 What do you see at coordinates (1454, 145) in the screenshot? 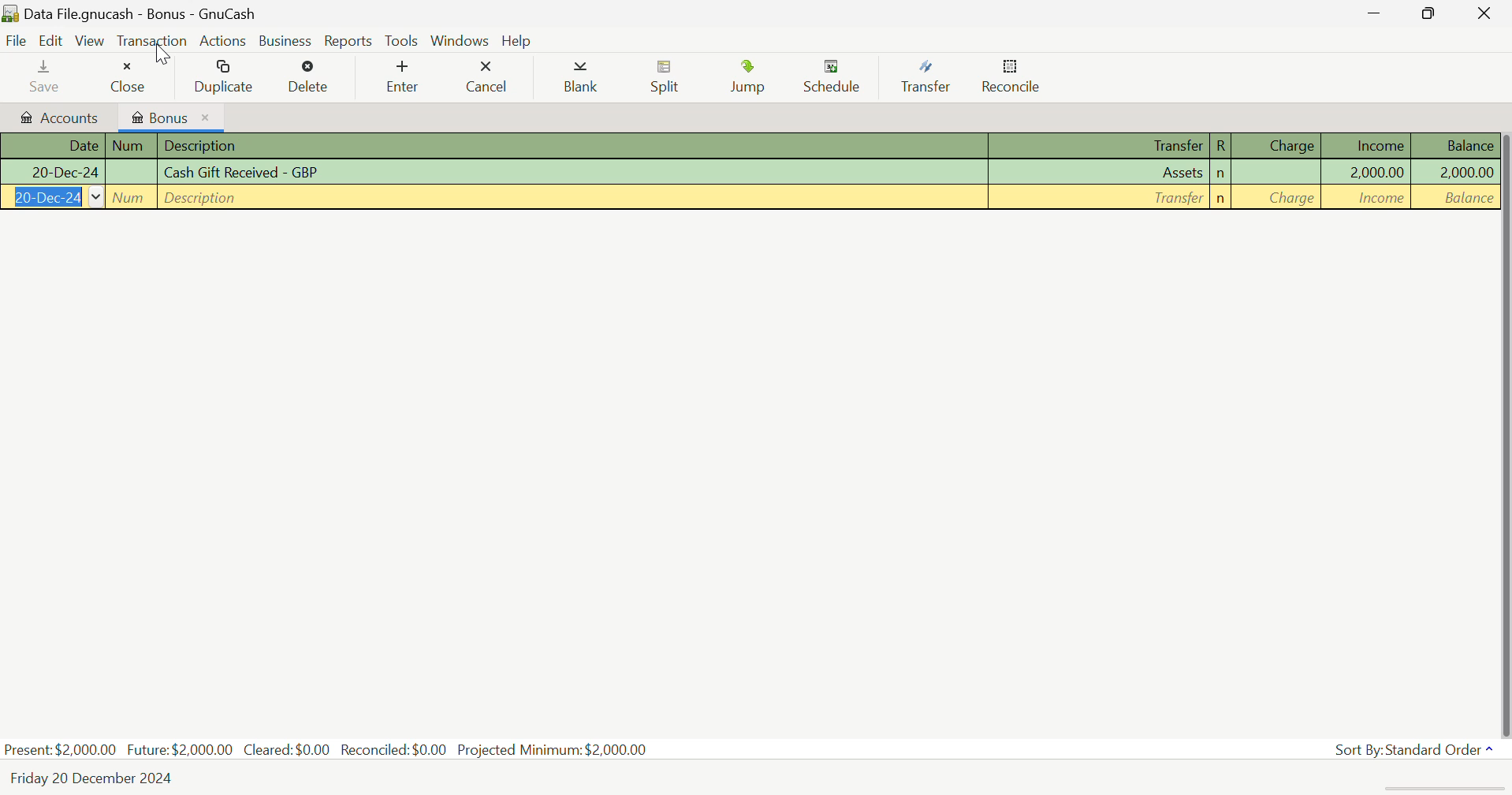
I see `Balance` at bounding box center [1454, 145].